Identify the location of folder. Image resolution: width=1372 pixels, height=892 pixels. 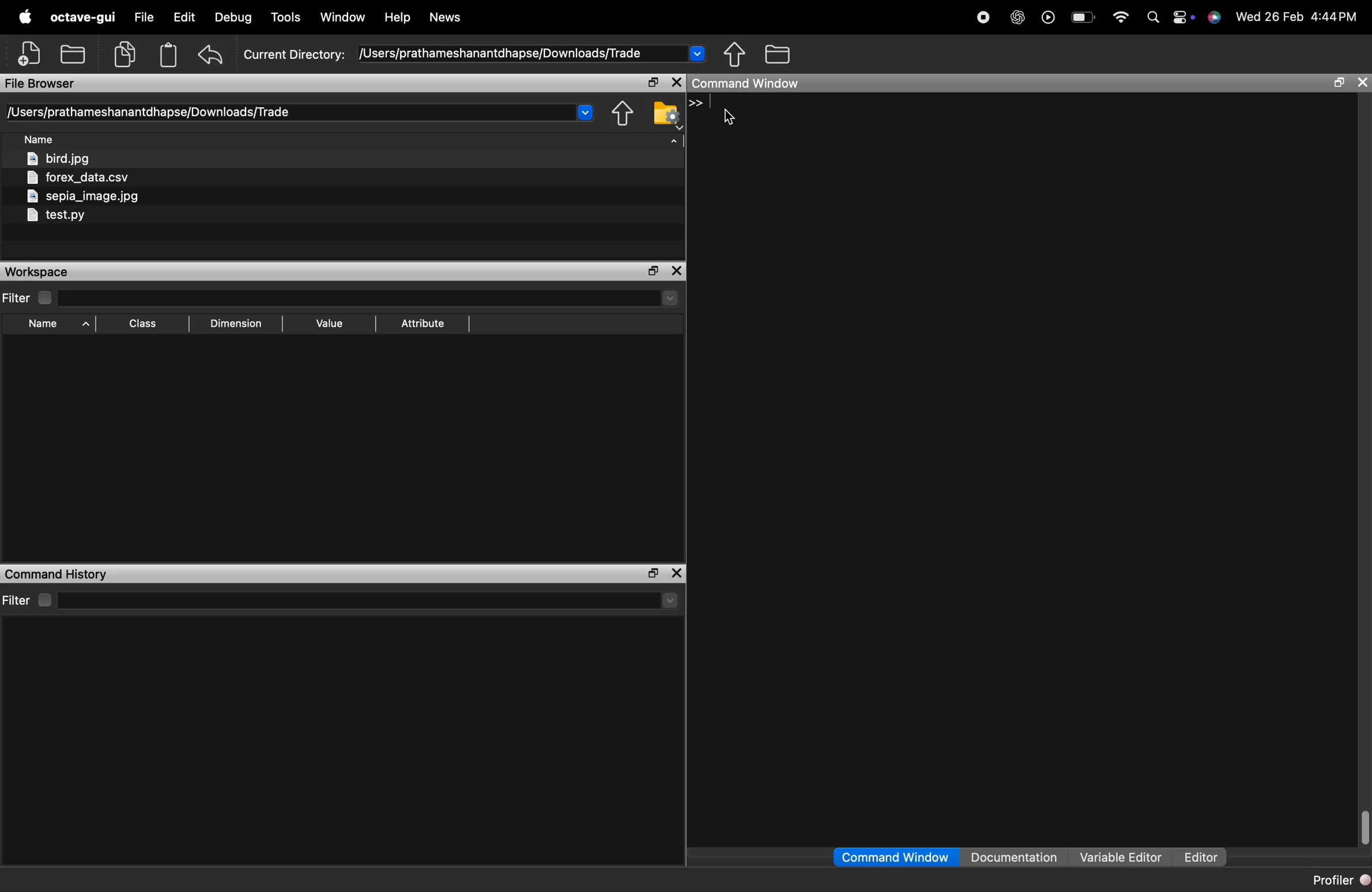
(779, 53).